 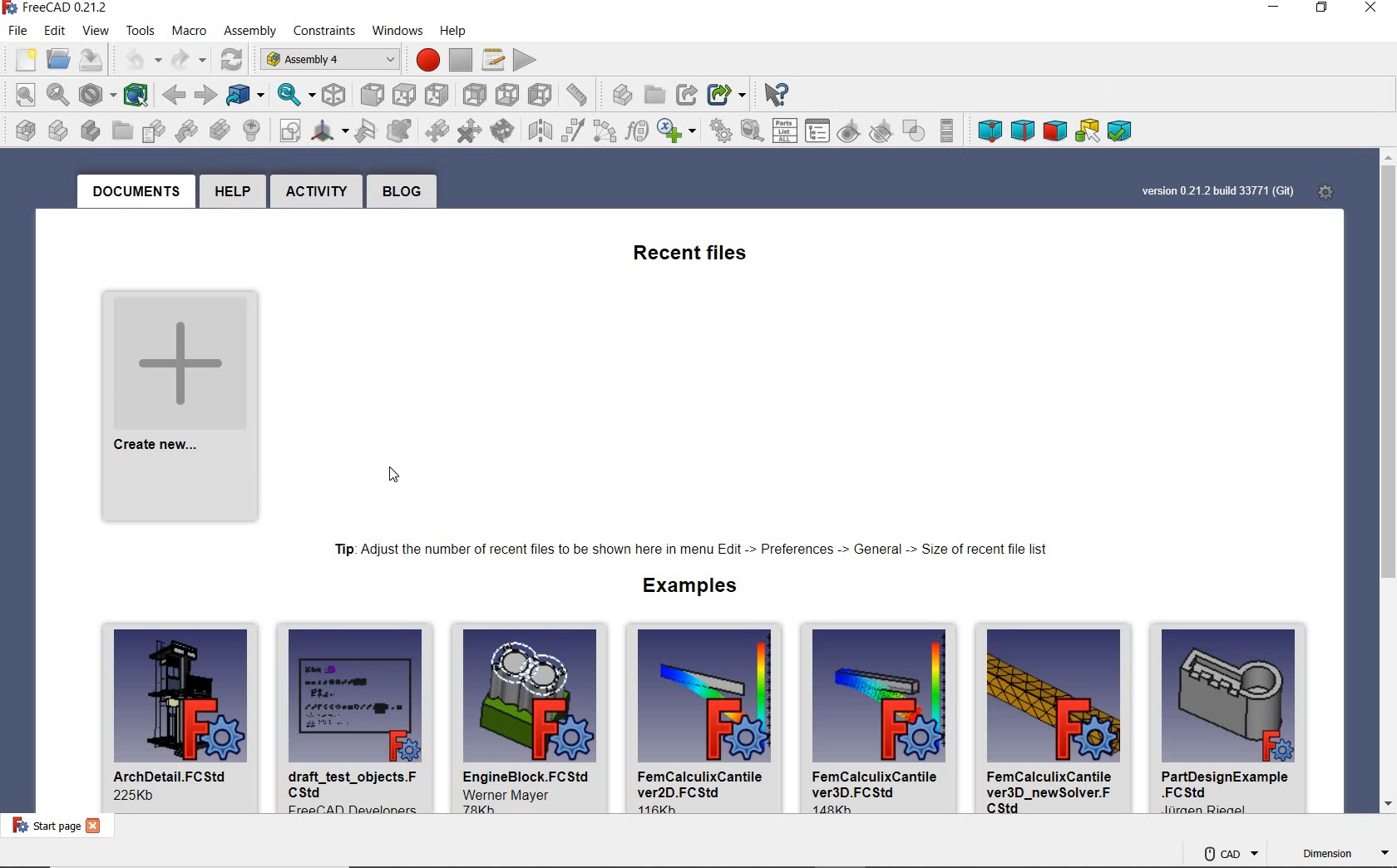 What do you see at coordinates (690, 550) in the screenshot?
I see `Tips` at bounding box center [690, 550].